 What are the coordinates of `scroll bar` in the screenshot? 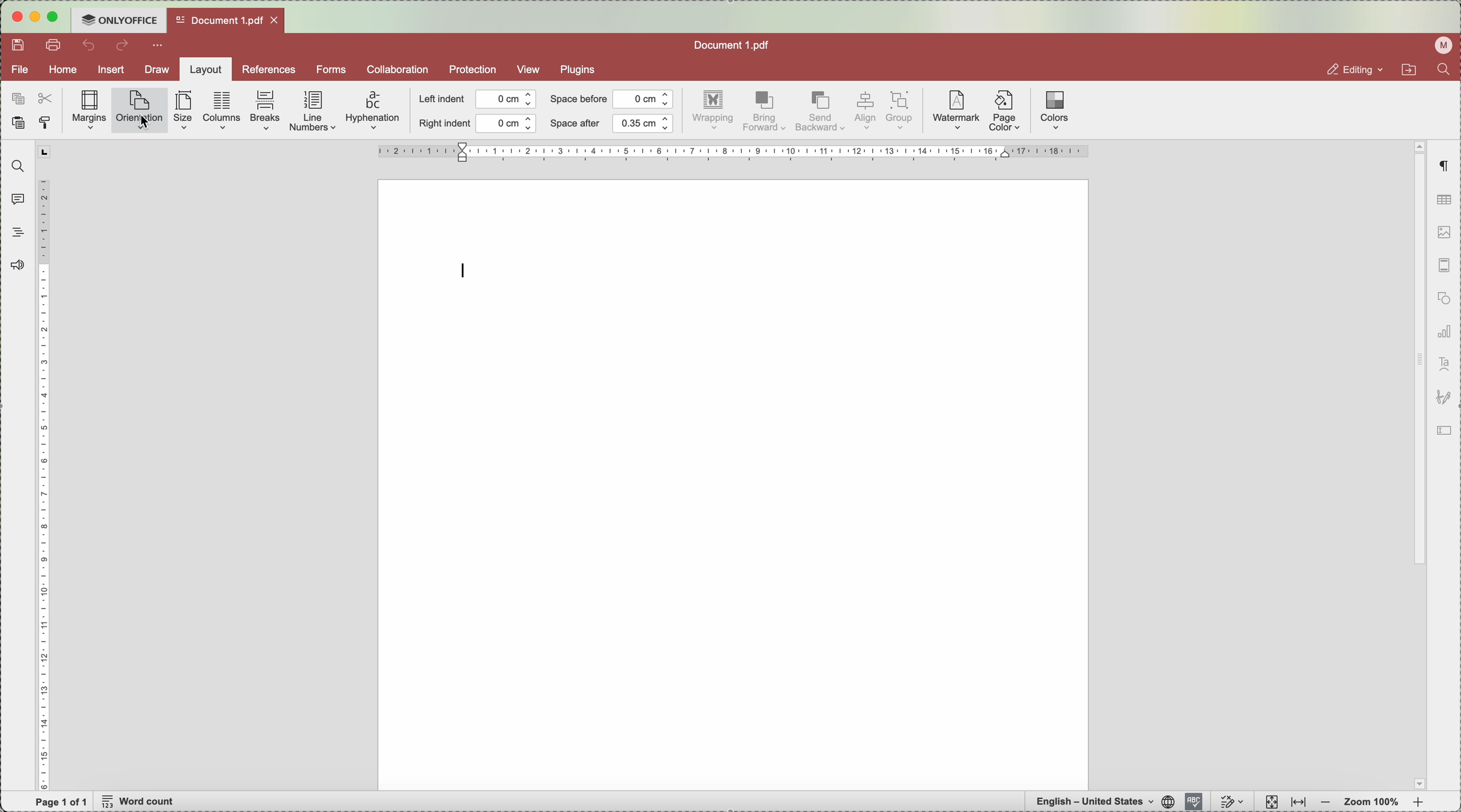 It's located at (1417, 355).